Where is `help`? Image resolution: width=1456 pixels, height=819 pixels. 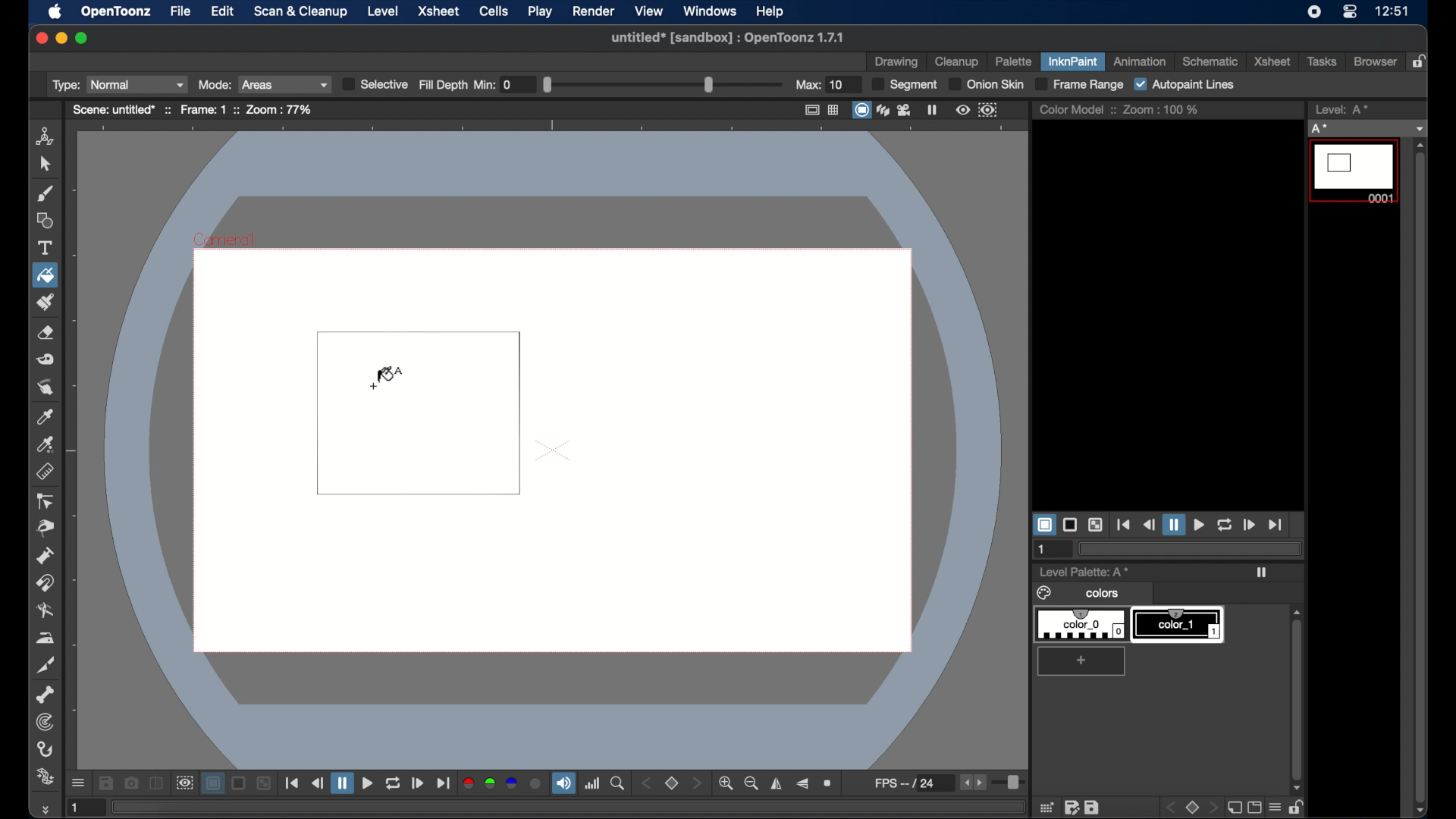
help is located at coordinates (770, 11).